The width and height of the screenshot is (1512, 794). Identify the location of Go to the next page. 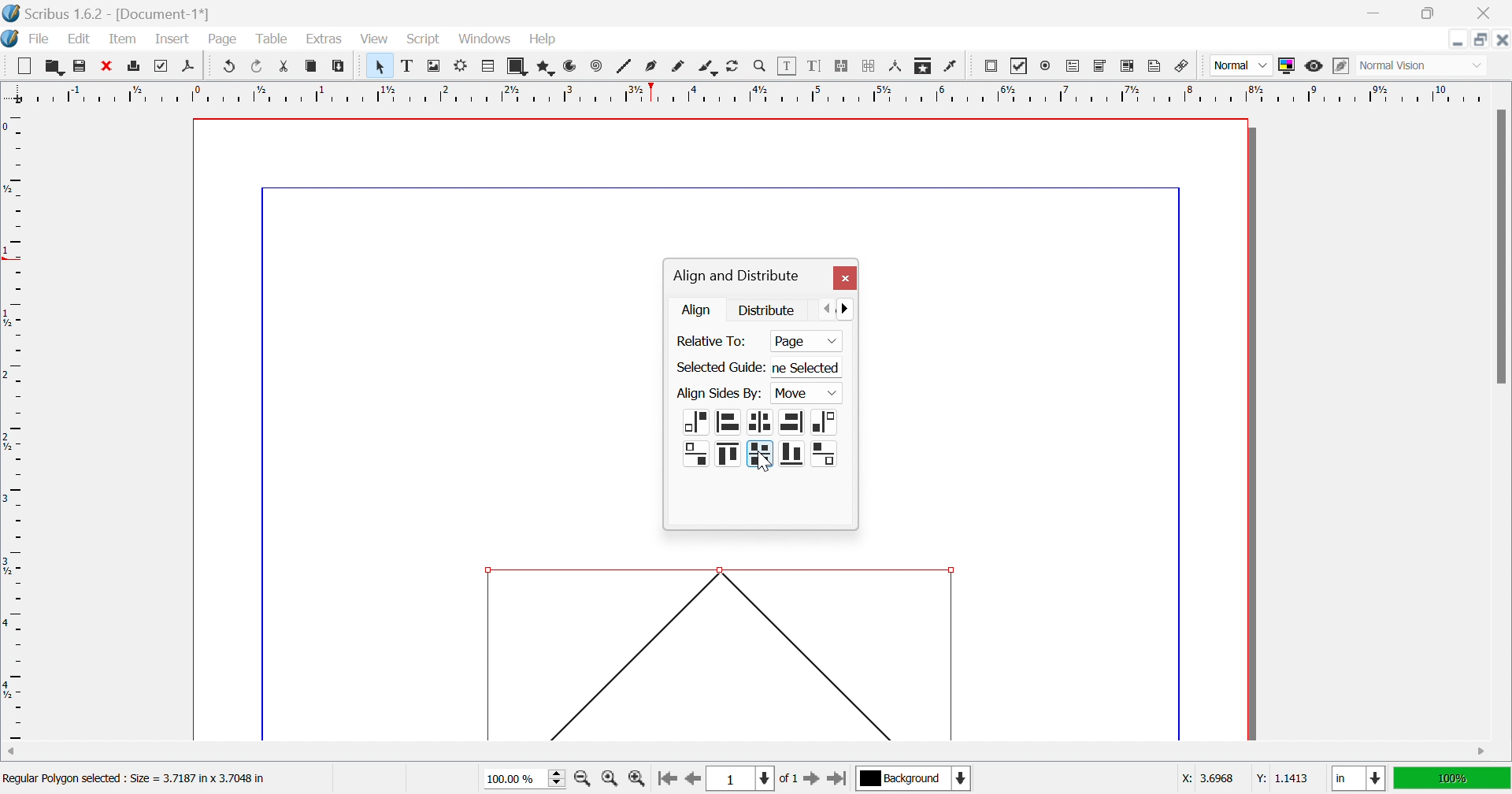
(813, 782).